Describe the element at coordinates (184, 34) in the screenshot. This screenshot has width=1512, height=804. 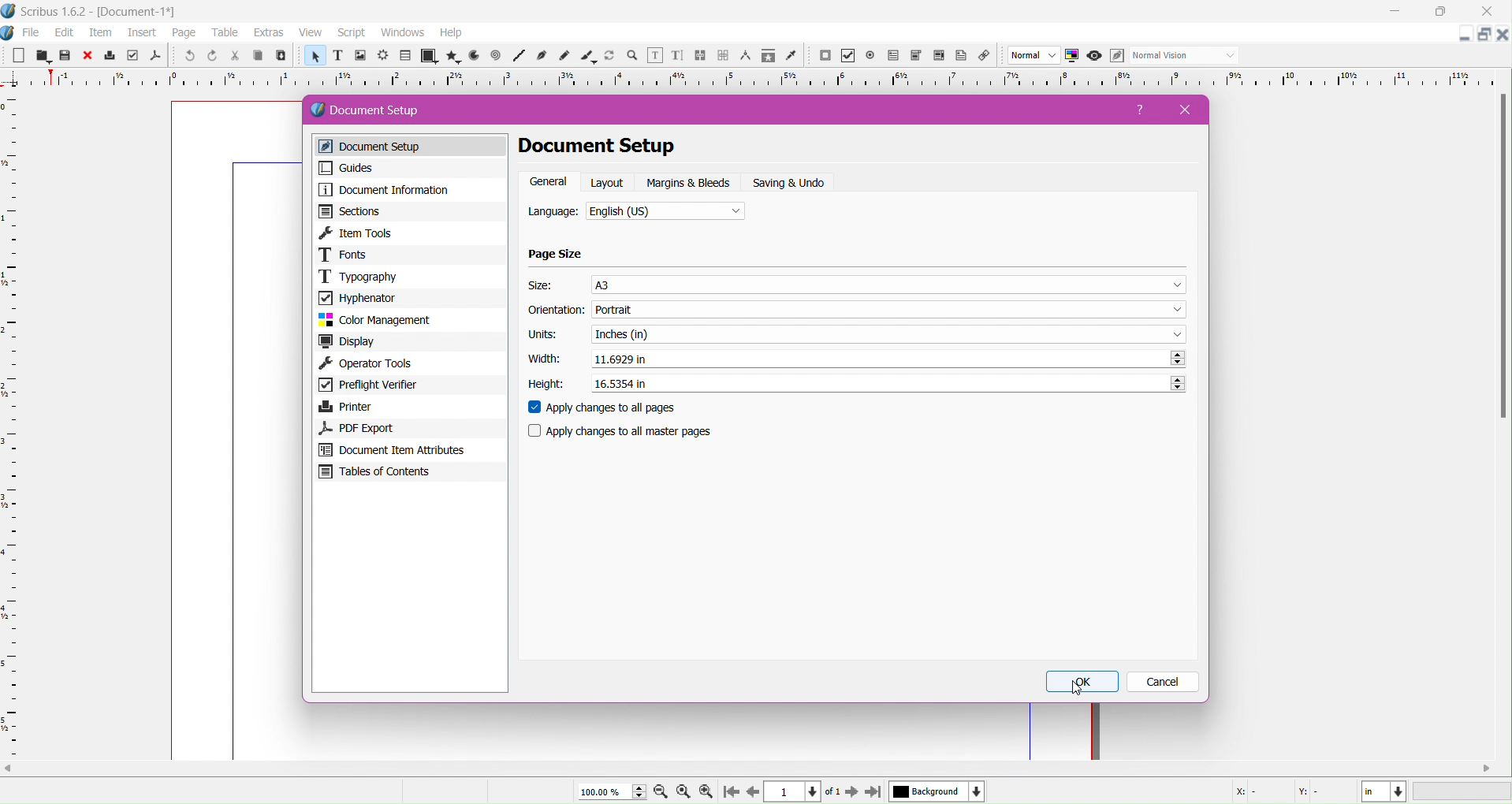
I see `page menu` at that location.